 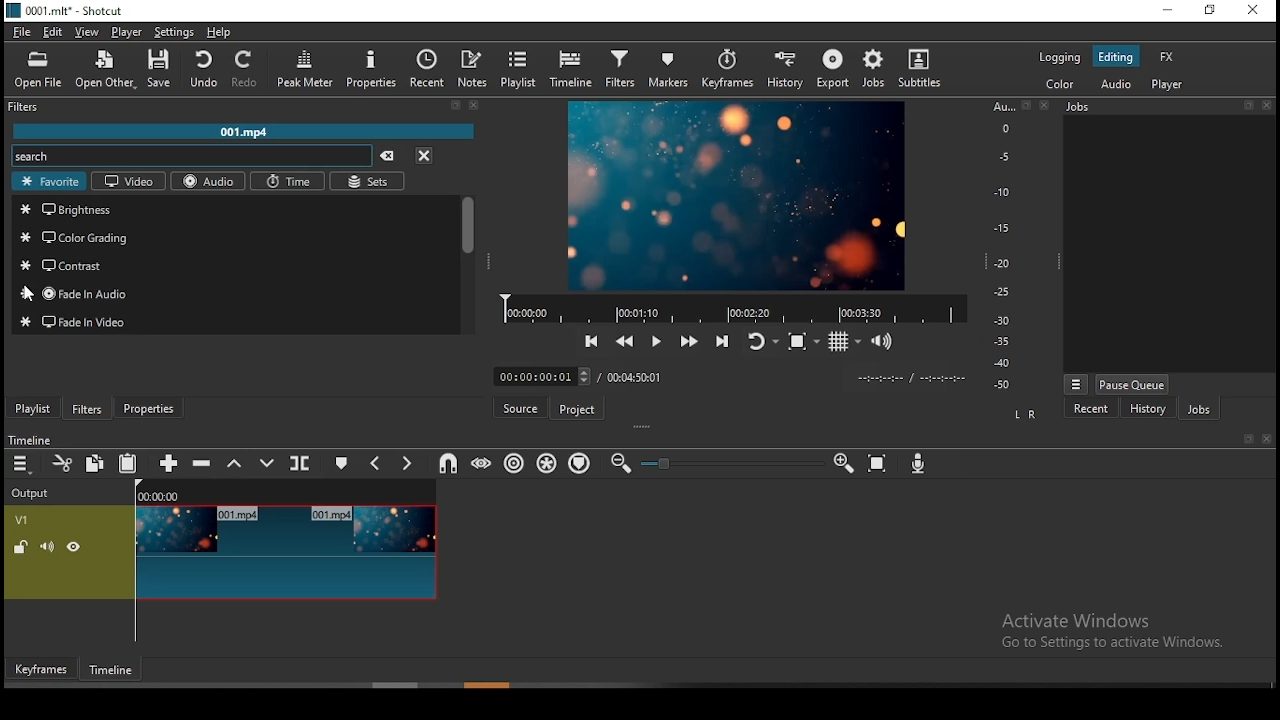 What do you see at coordinates (621, 69) in the screenshot?
I see `filters` at bounding box center [621, 69].